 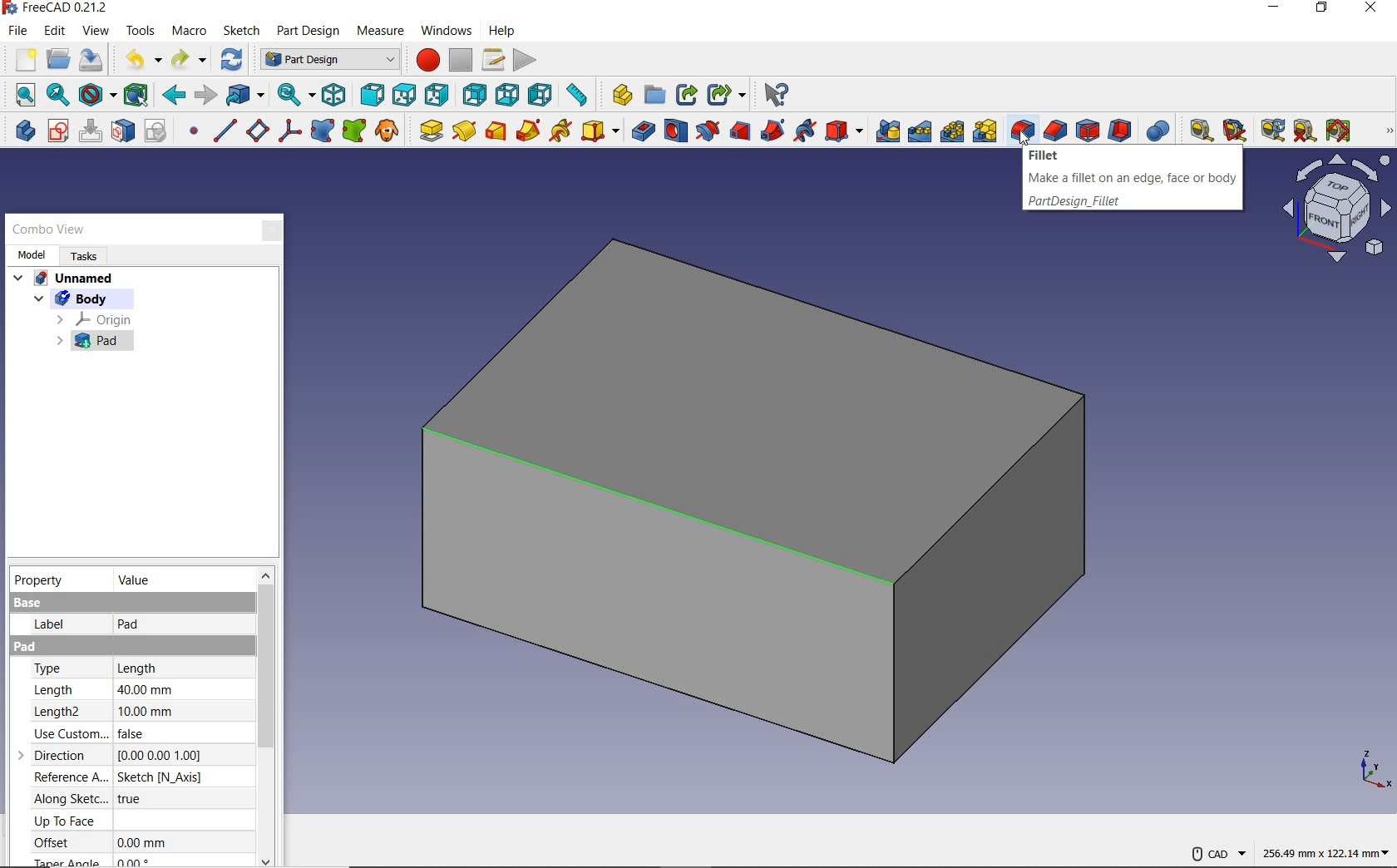 What do you see at coordinates (1132, 180) in the screenshot?
I see `Fillet Make a fillet on an edge, face or body PartDesign_Fillet` at bounding box center [1132, 180].